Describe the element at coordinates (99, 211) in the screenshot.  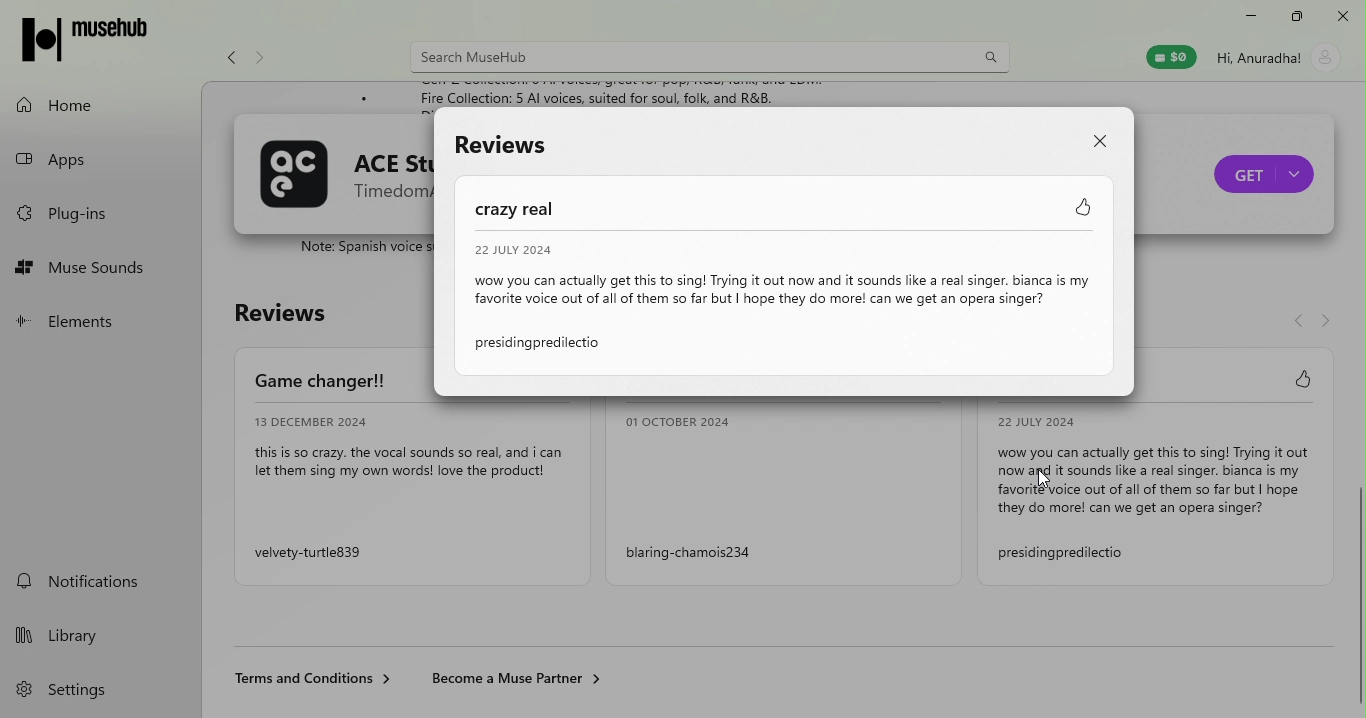
I see `plug-ins` at that location.